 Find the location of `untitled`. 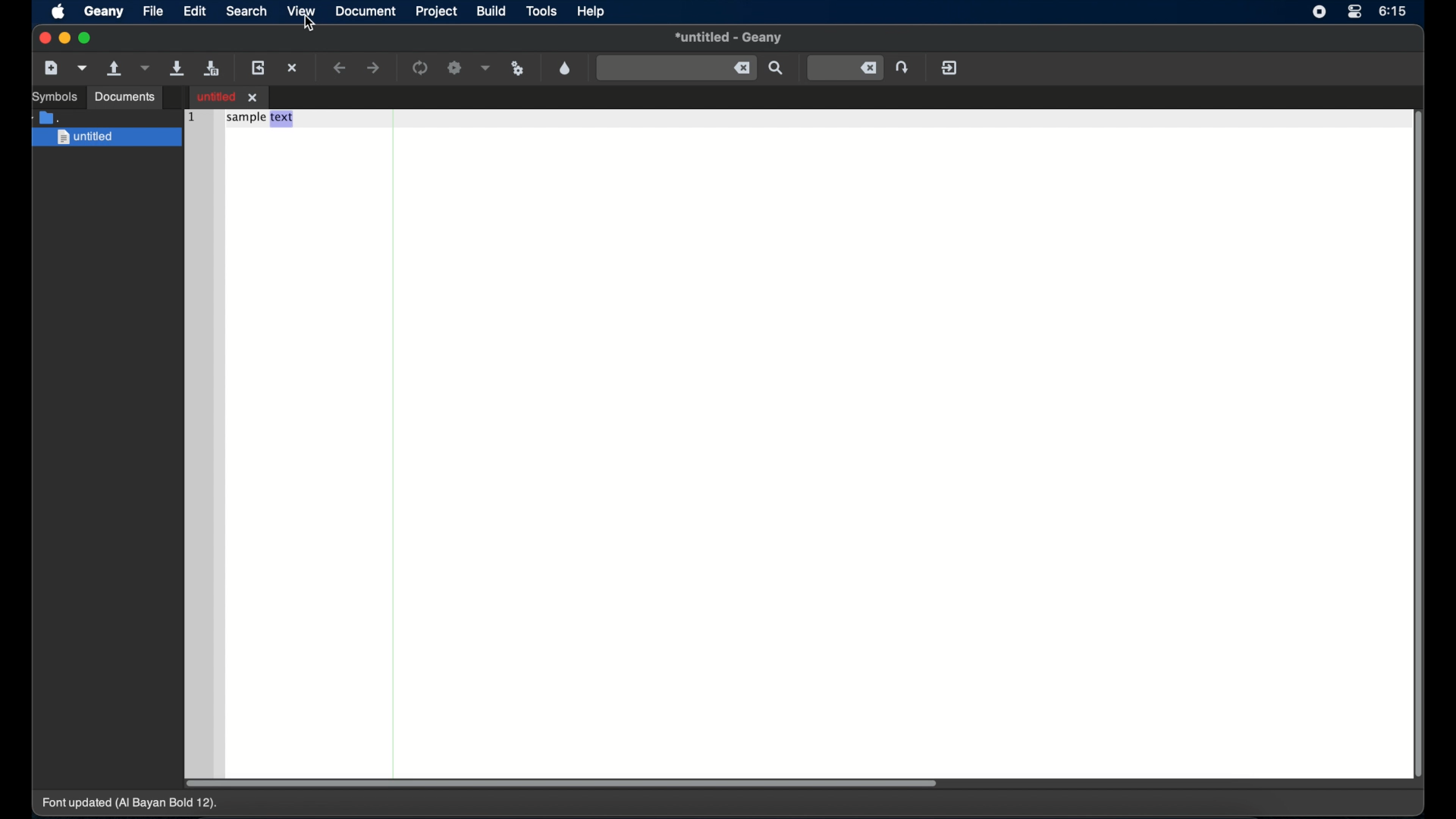

untitled is located at coordinates (108, 138).